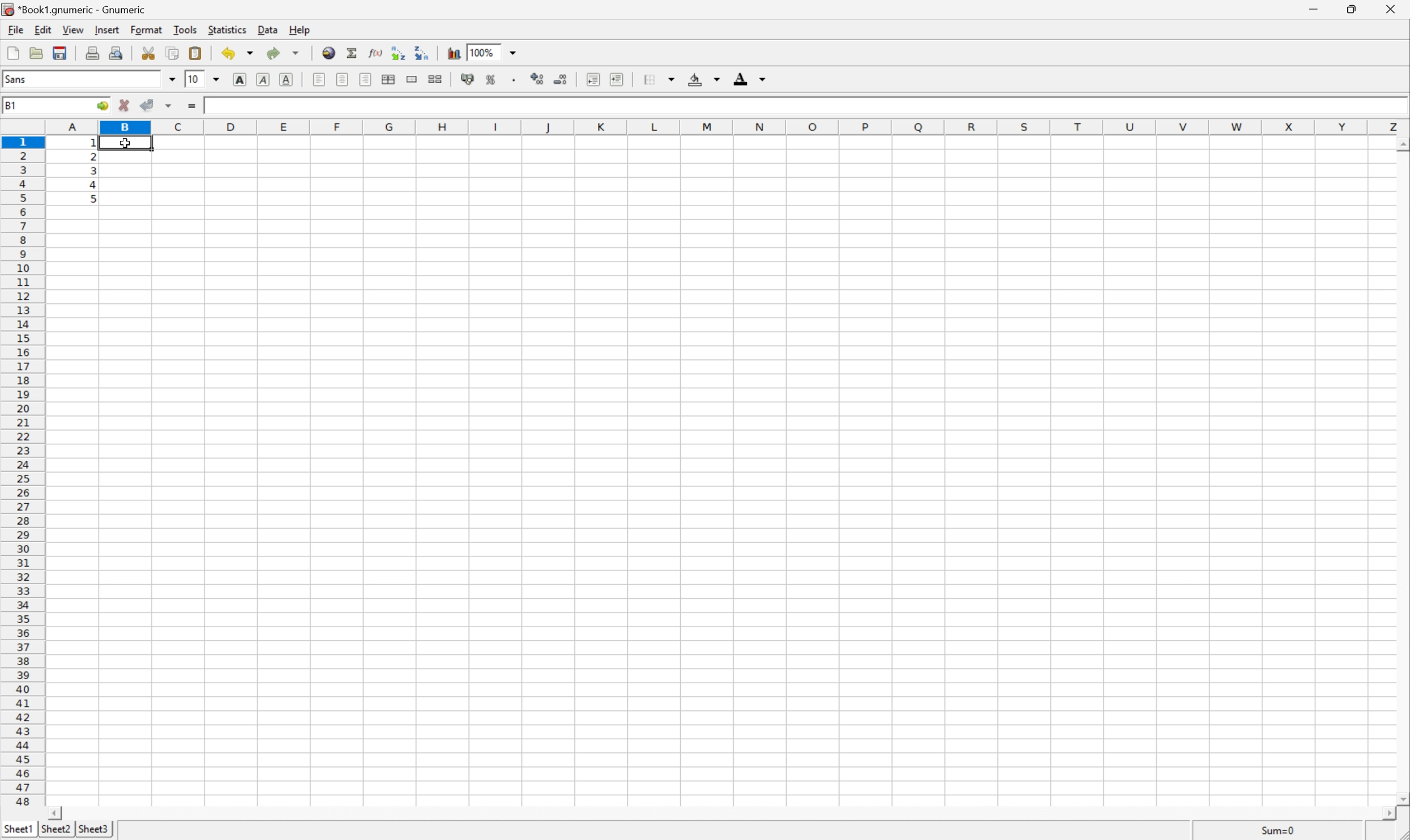  What do you see at coordinates (147, 52) in the screenshot?
I see `Cut selection` at bounding box center [147, 52].